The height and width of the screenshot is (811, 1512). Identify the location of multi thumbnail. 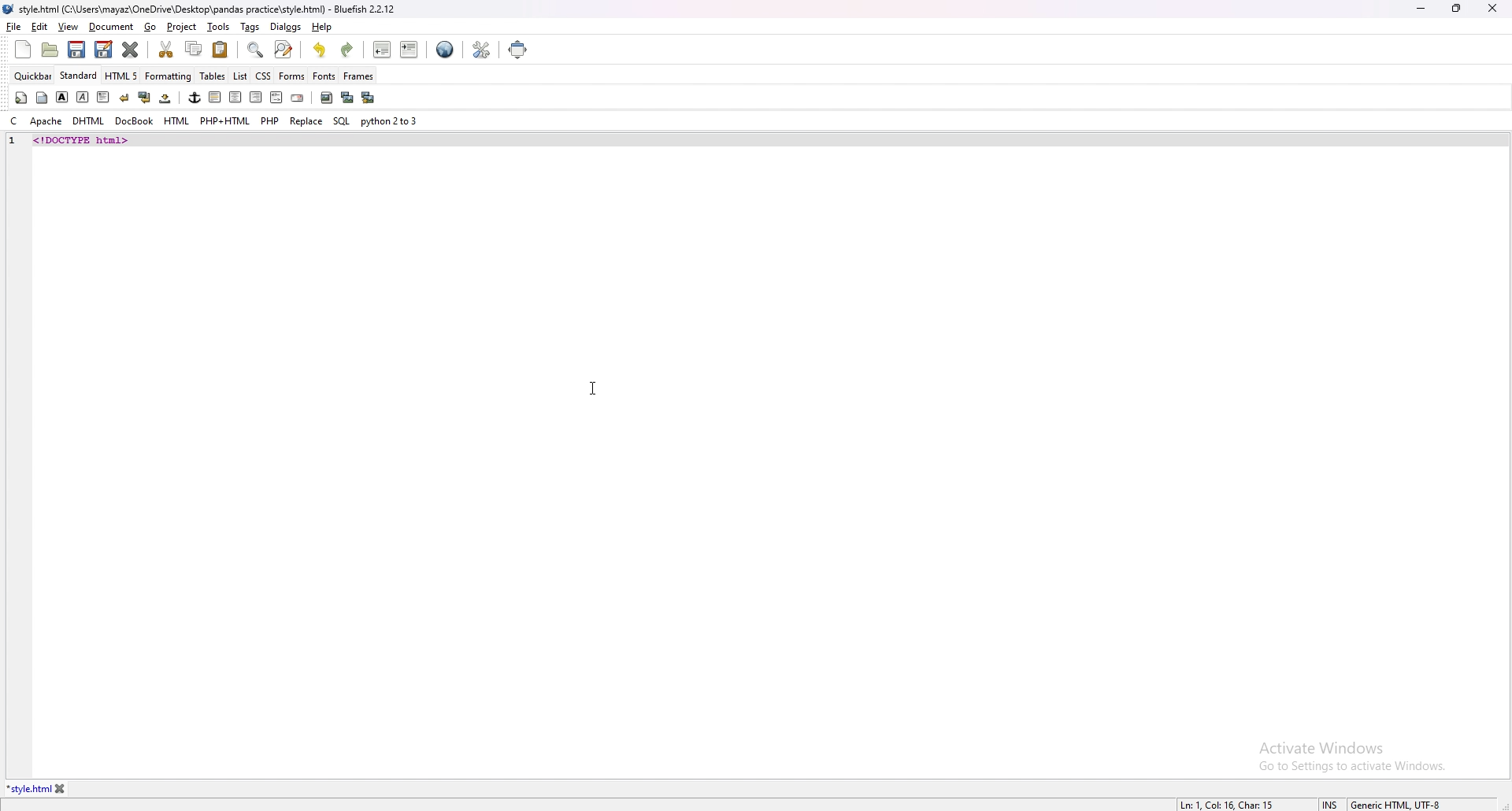
(367, 97).